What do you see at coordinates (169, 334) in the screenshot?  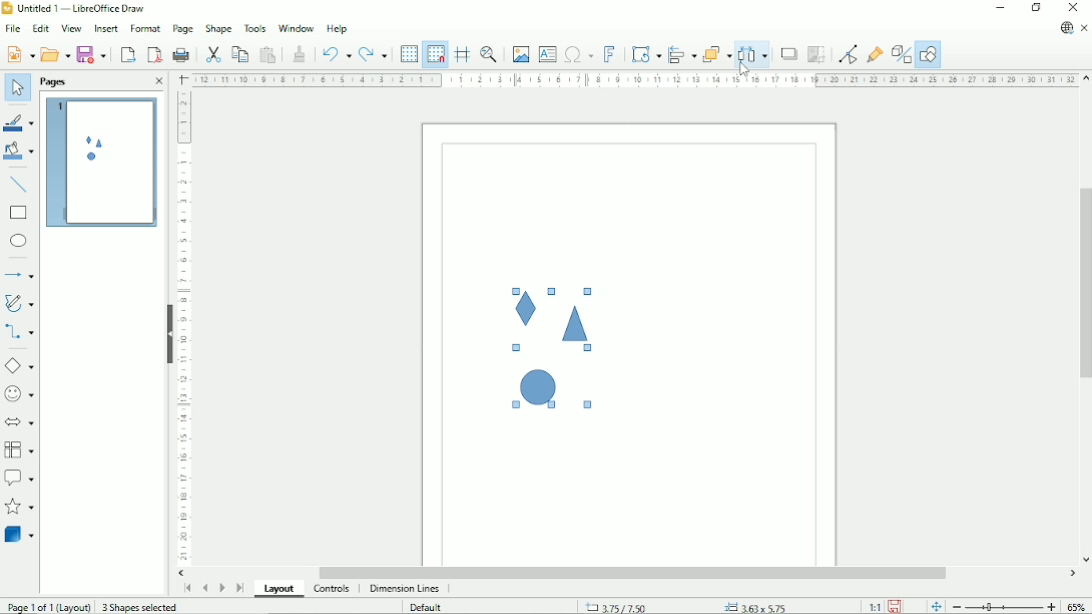 I see `Hide` at bounding box center [169, 334].